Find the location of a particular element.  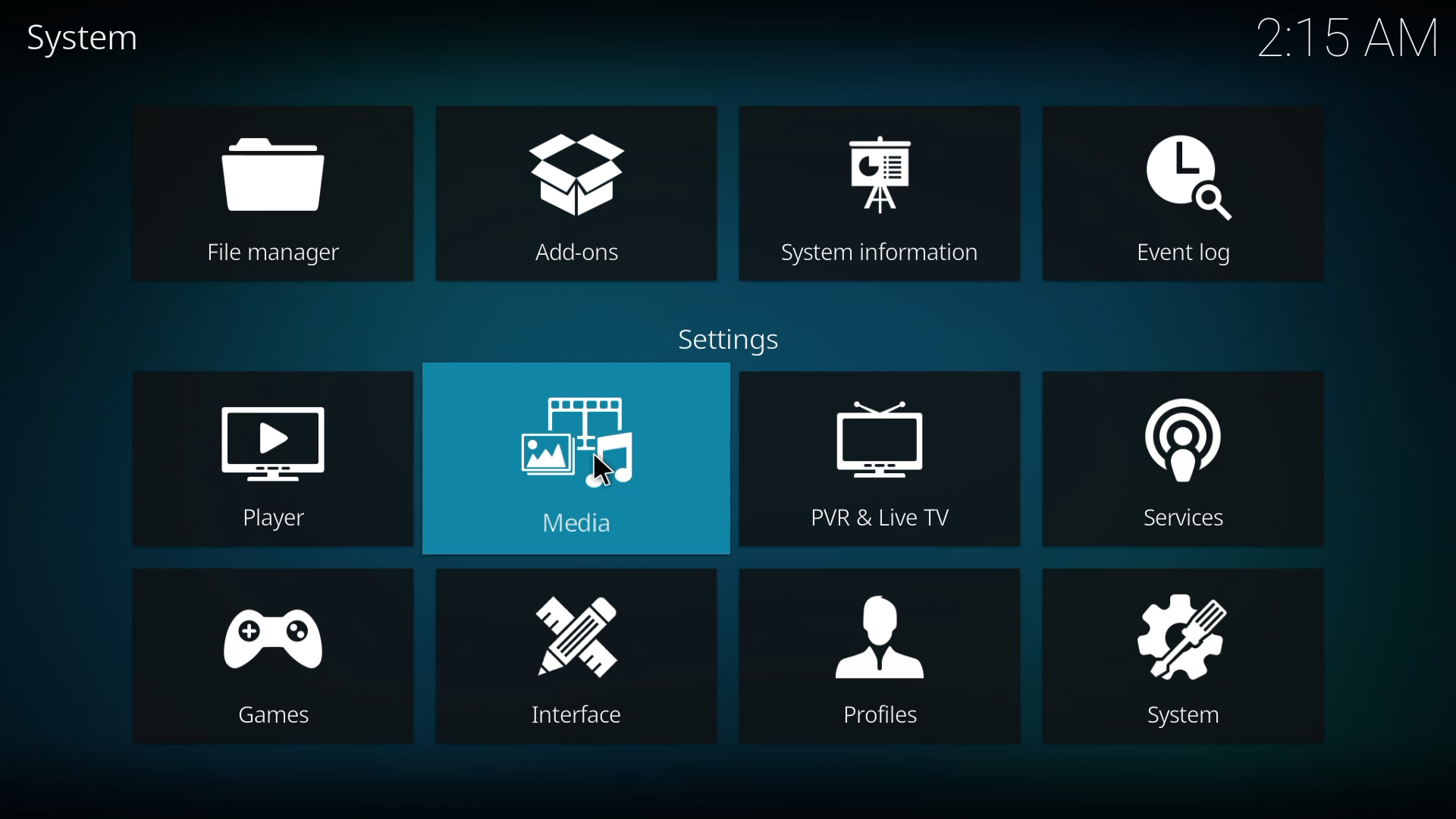

services is located at coordinates (1171, 462).